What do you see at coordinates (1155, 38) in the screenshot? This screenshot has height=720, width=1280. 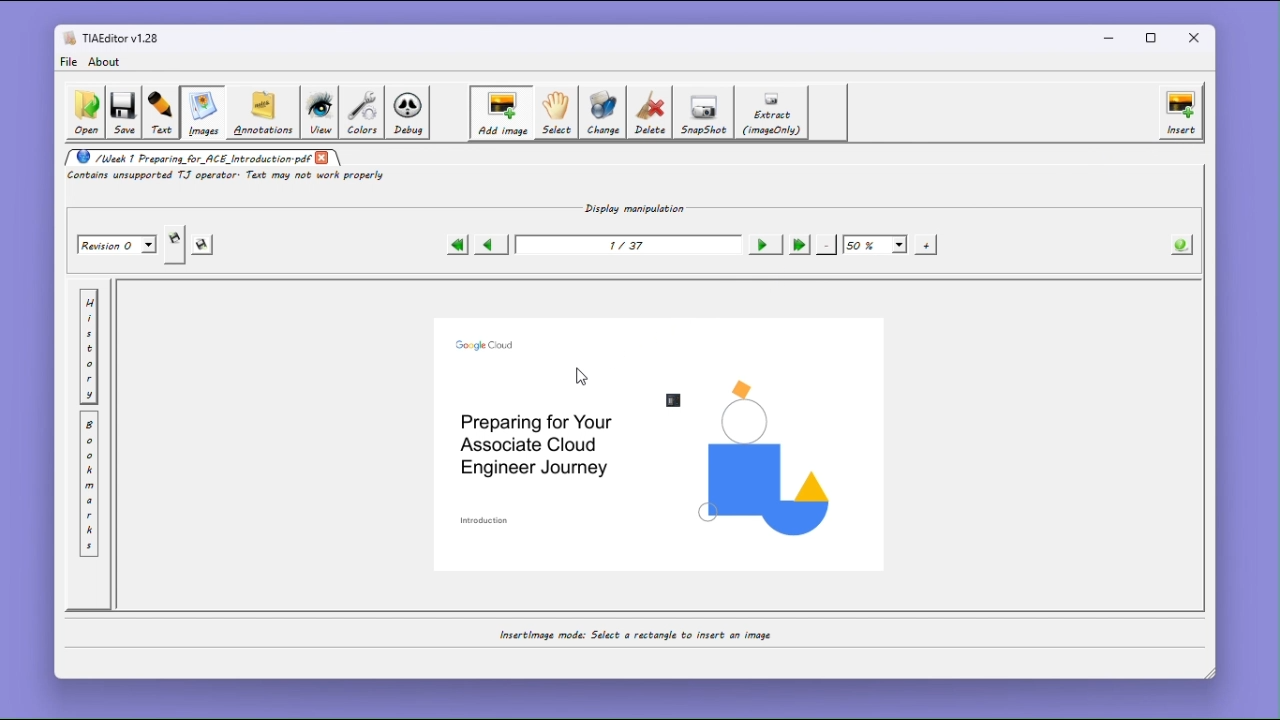 I see `Maximize` at bounding box center [1155, 38].